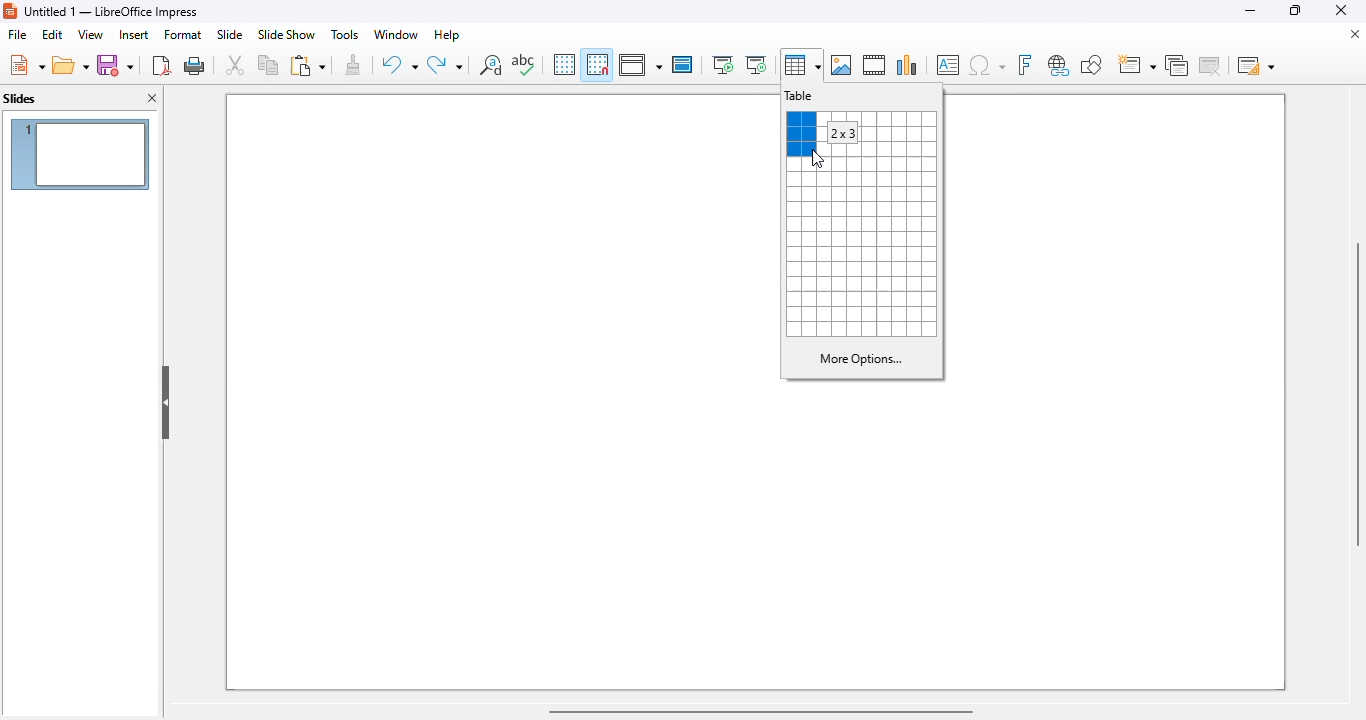 The width and height of the screenshot is (1366, 720). Describe the element at coordinates (724, 65) in the screenshot. I see `start from first slide` at that location.